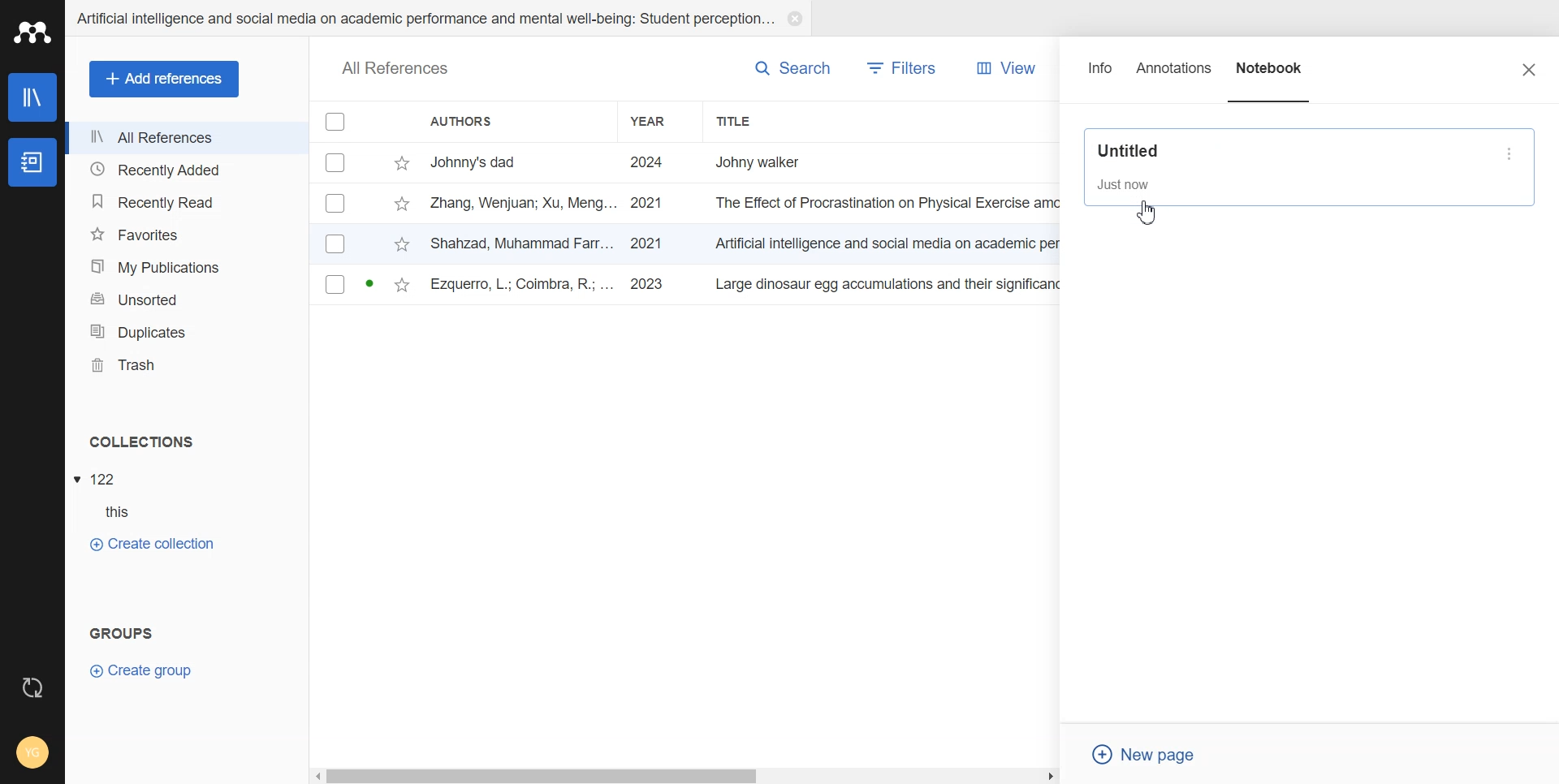 Image resolution: width=1559 pixels, height=784 pixels. Describe the element at coordinates (1175, 75) in the screenshot. I see `Annotations` at that location.